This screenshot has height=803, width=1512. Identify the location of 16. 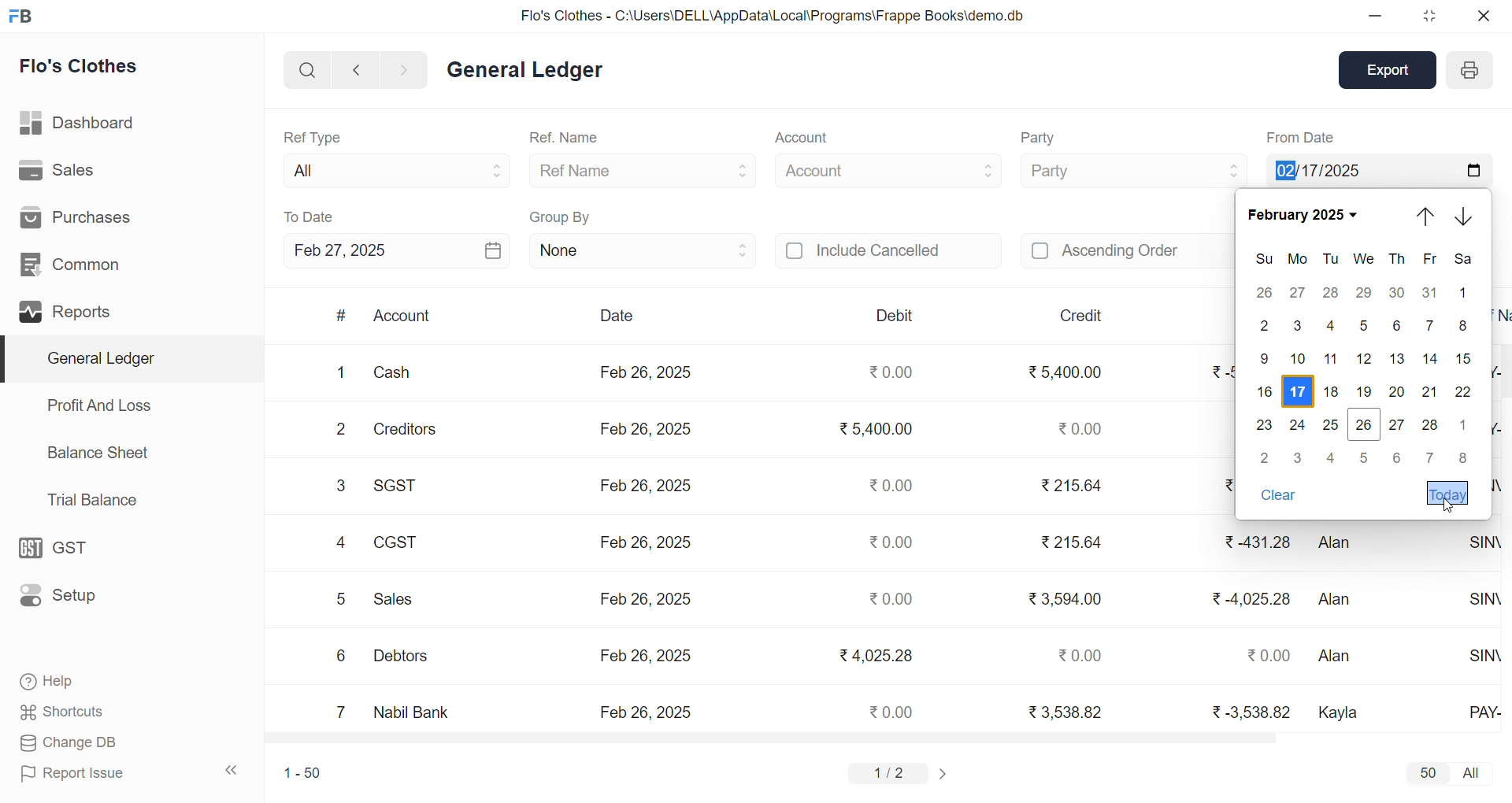
(1266, 390).